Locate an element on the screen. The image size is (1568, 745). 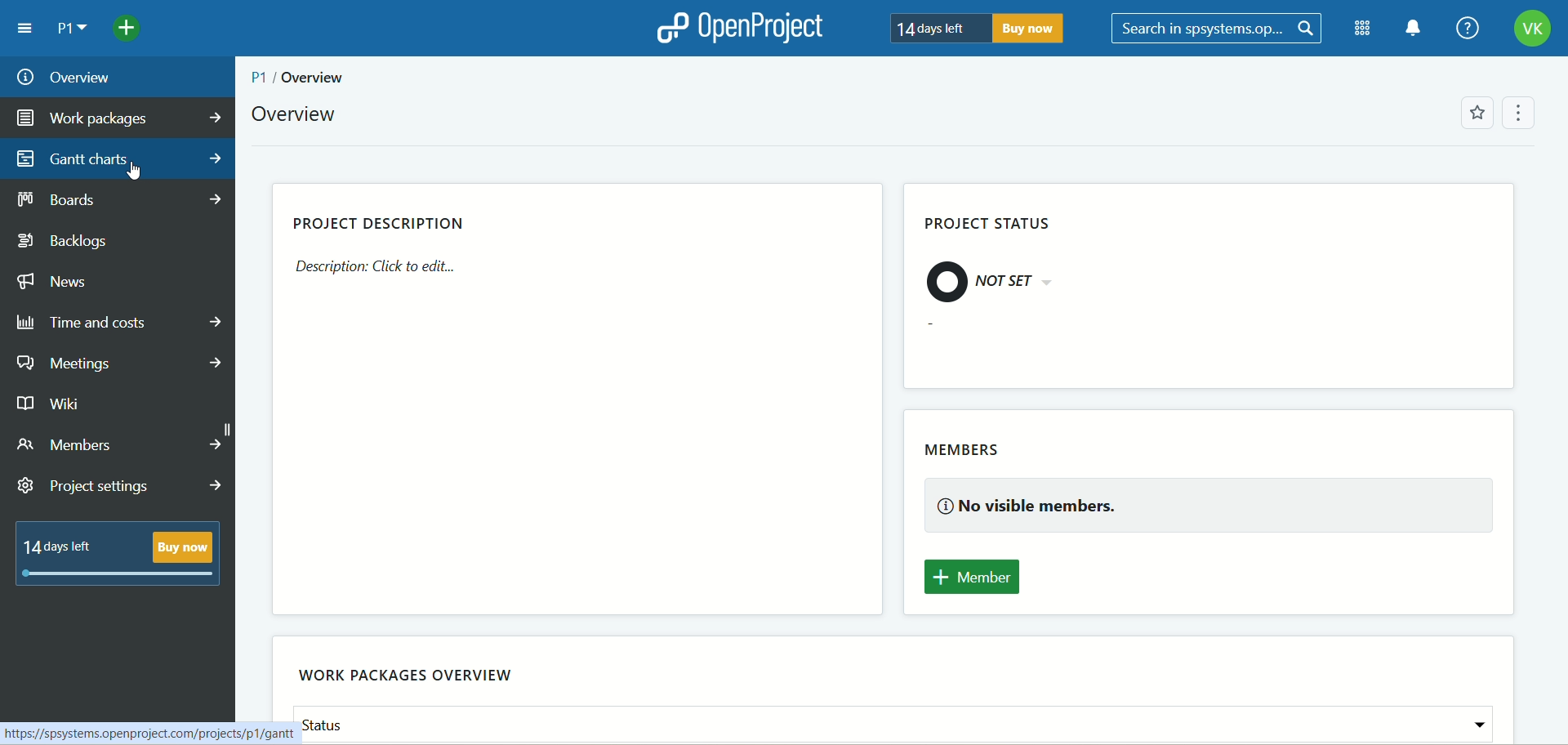
overview is located at coordinates (118, 77).